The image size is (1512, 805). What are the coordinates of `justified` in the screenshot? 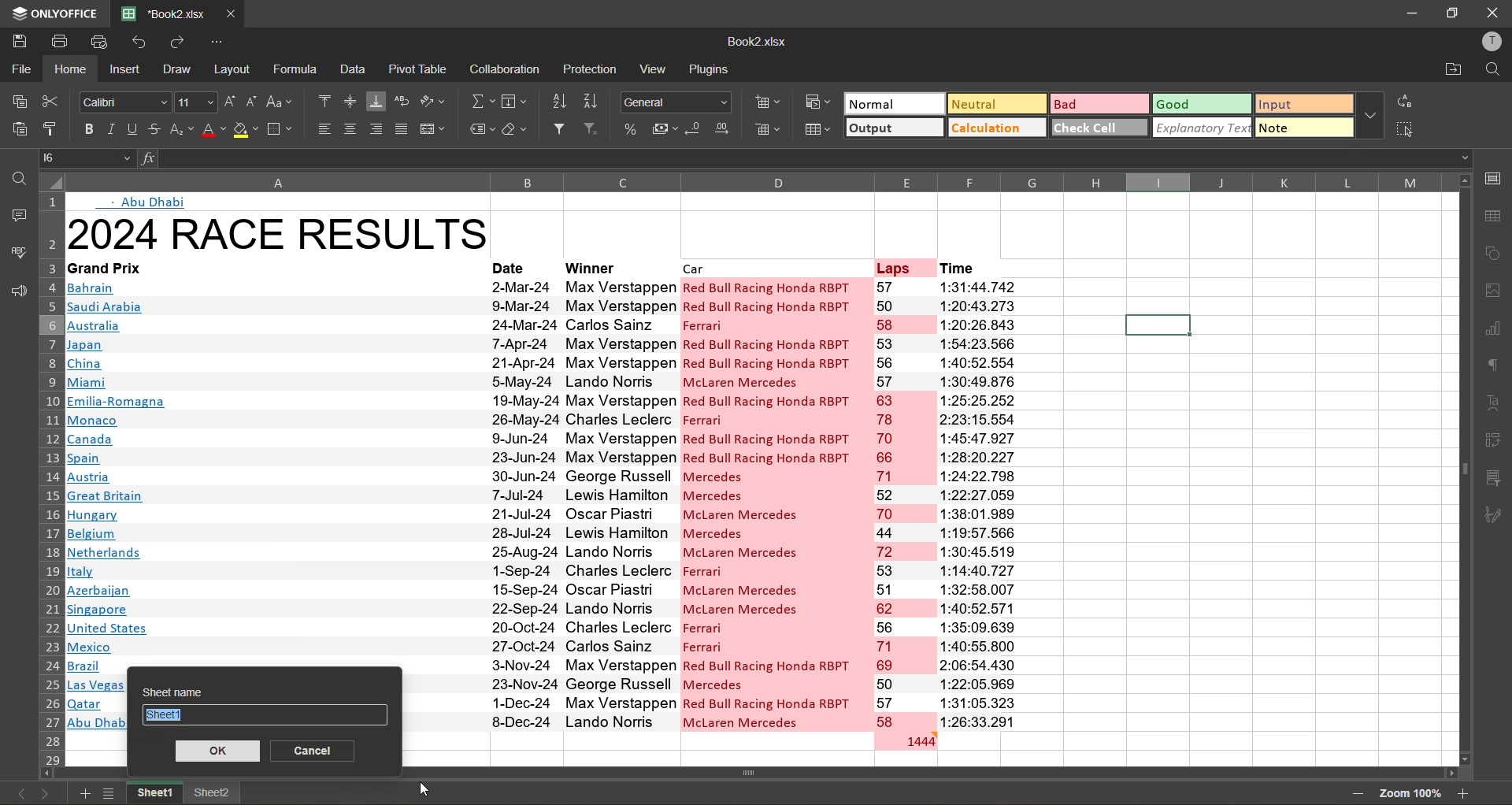 It's located at (401, 131).